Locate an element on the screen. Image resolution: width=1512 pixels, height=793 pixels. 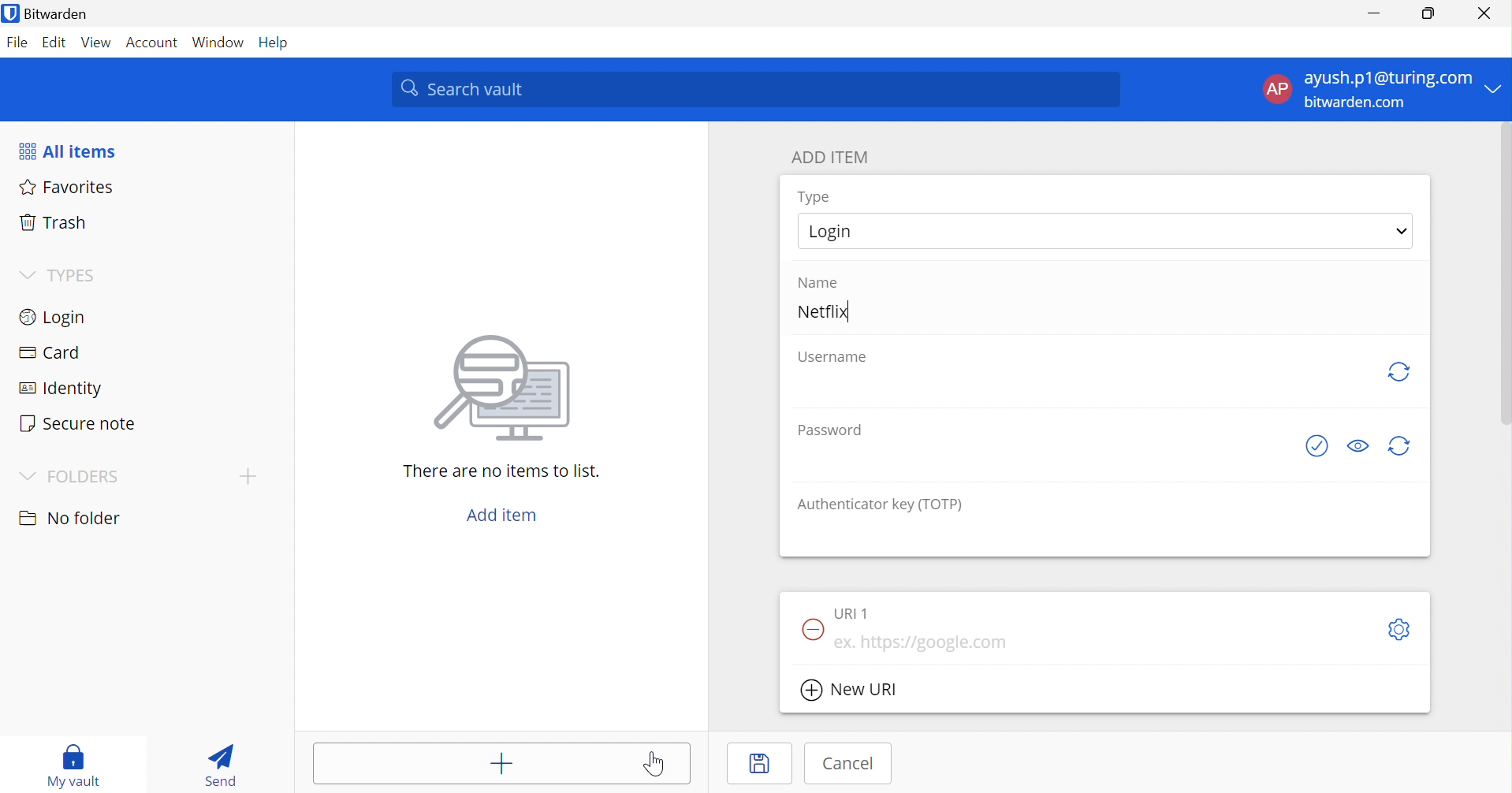
Help is located at coordinates (275, 43).